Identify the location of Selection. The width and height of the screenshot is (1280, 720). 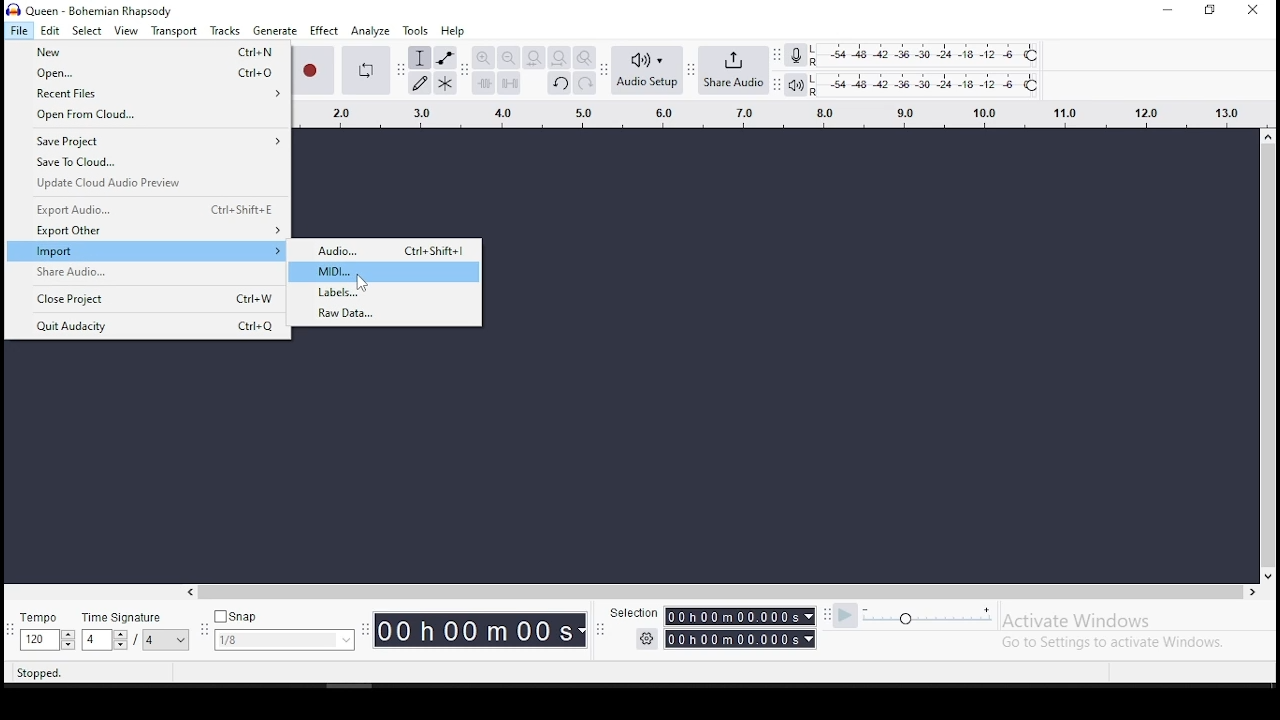
(631, 612).